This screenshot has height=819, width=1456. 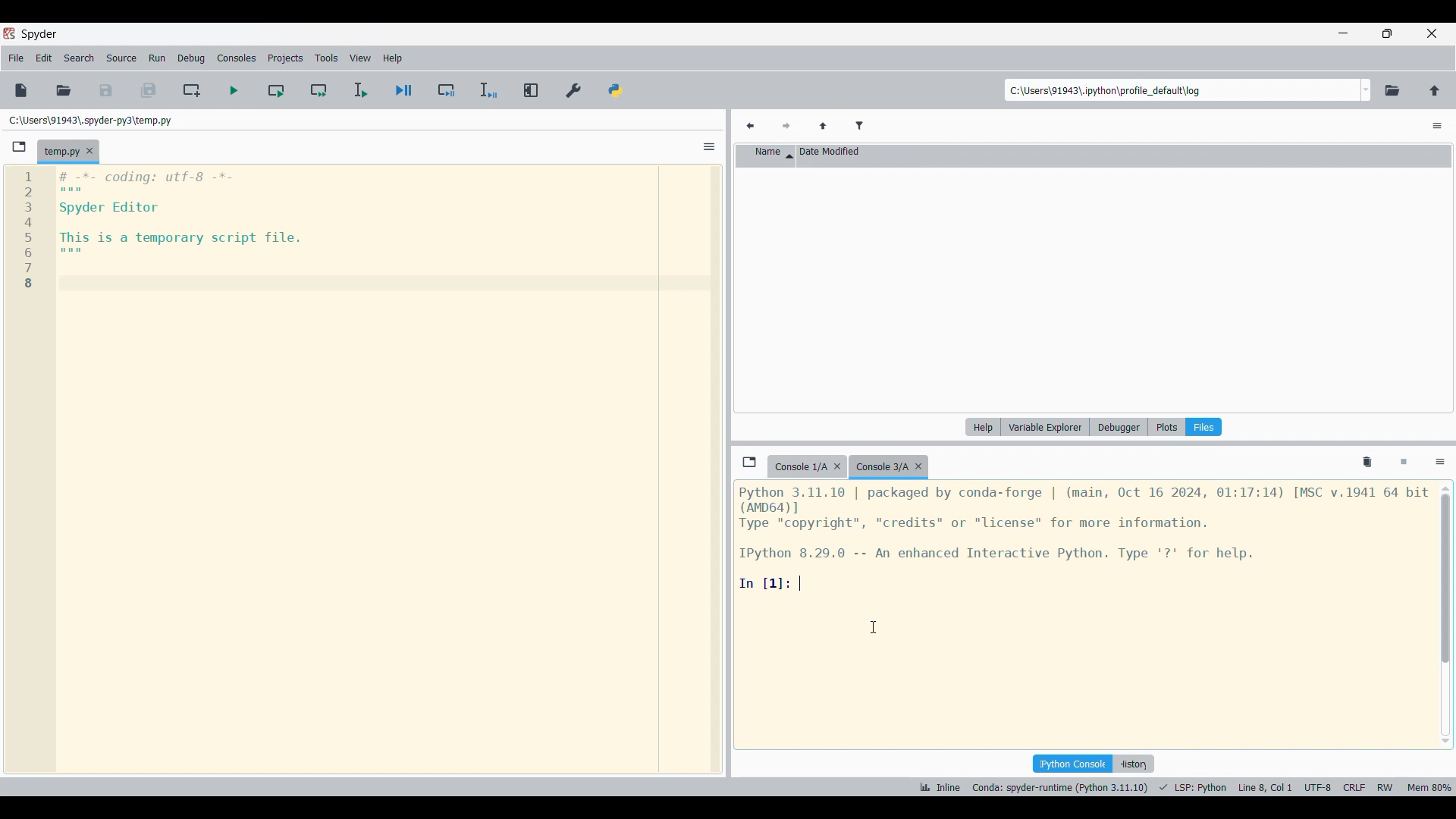 What do you see at coordinates (873, 627) in the screenshot?
I see `Cursor` at bounding box center [873, 627].